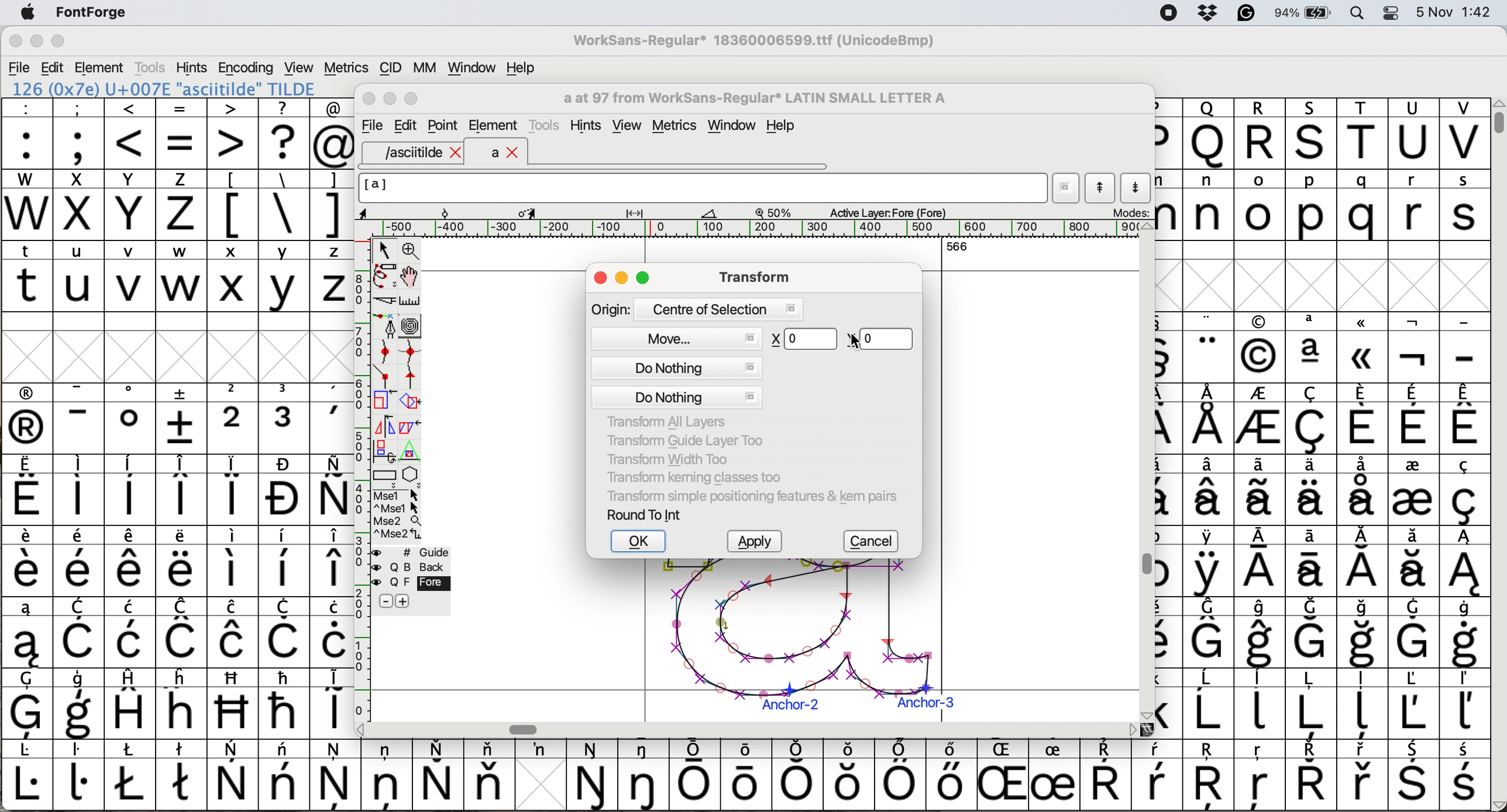 The height and width of the screenshot is (812, 1507). Describe the element at coordinates (1208, 562) in the screenshot. I see `symbol` at that location.